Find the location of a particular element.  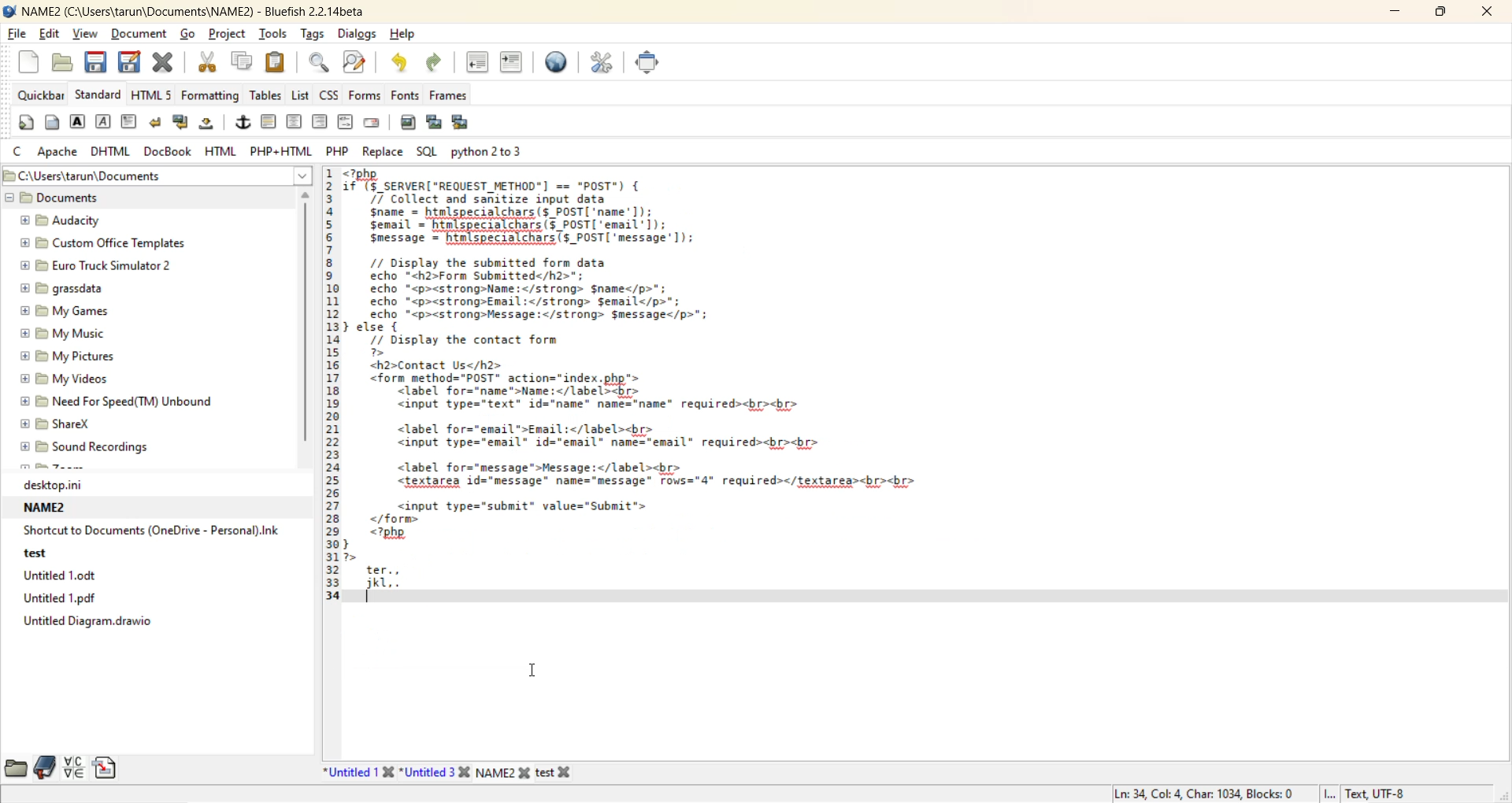

preview in browser is located at coordinates (557, 62).